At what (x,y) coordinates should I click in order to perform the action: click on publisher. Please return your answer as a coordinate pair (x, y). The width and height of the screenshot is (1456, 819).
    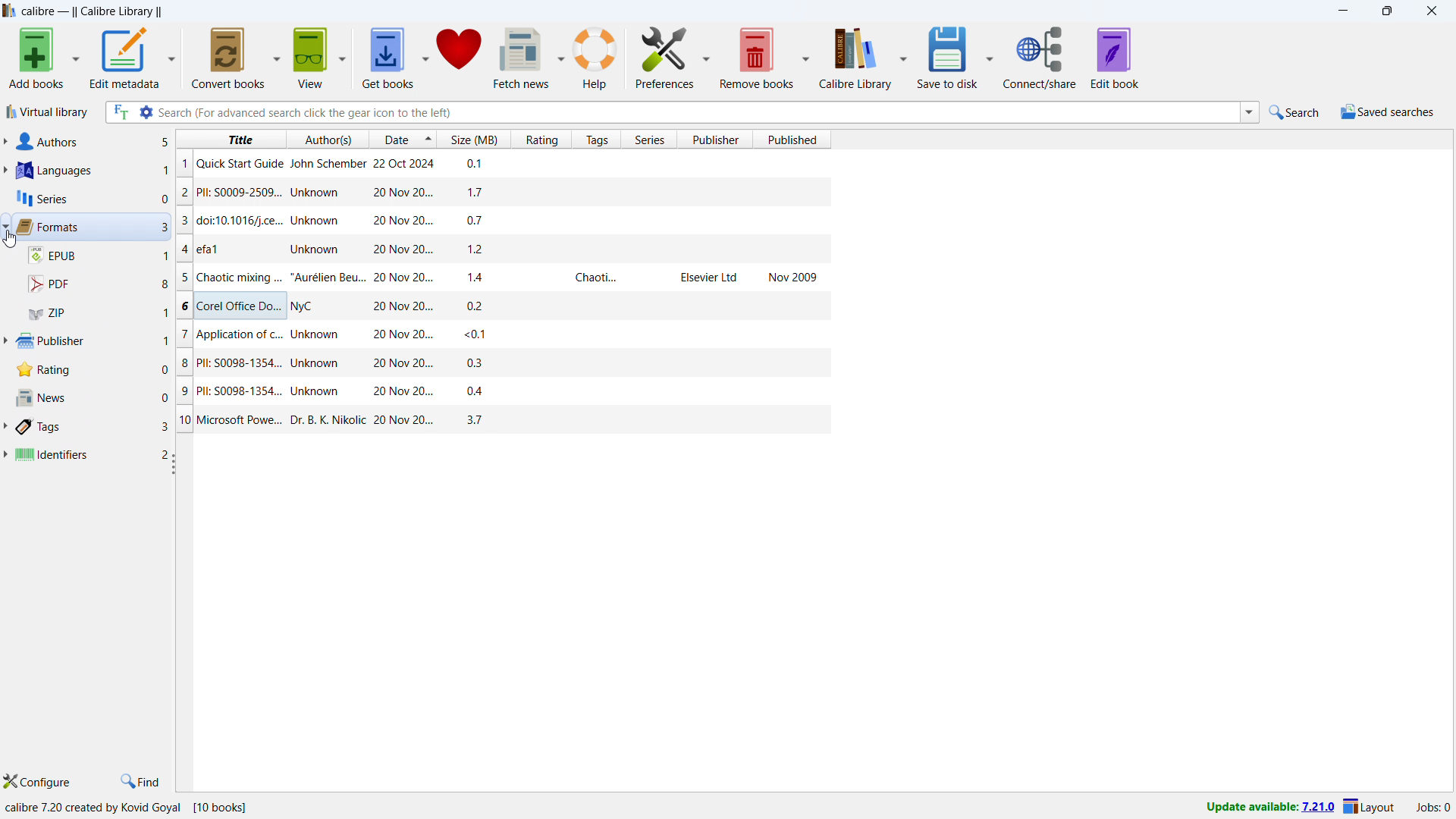
    Looking at the image, I should click on (98, 342).